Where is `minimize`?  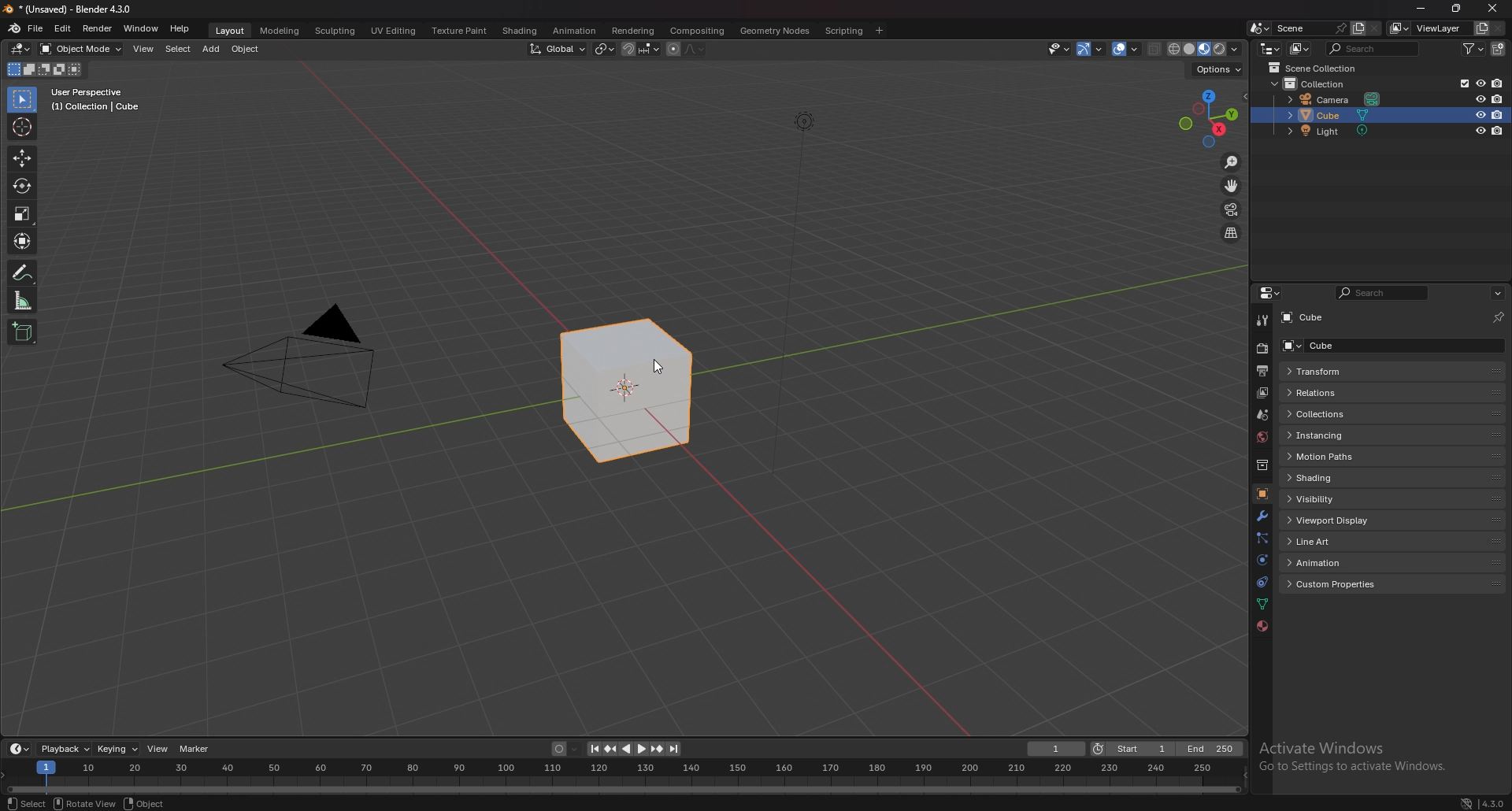 minimize is located at coordinates (1425, 9).